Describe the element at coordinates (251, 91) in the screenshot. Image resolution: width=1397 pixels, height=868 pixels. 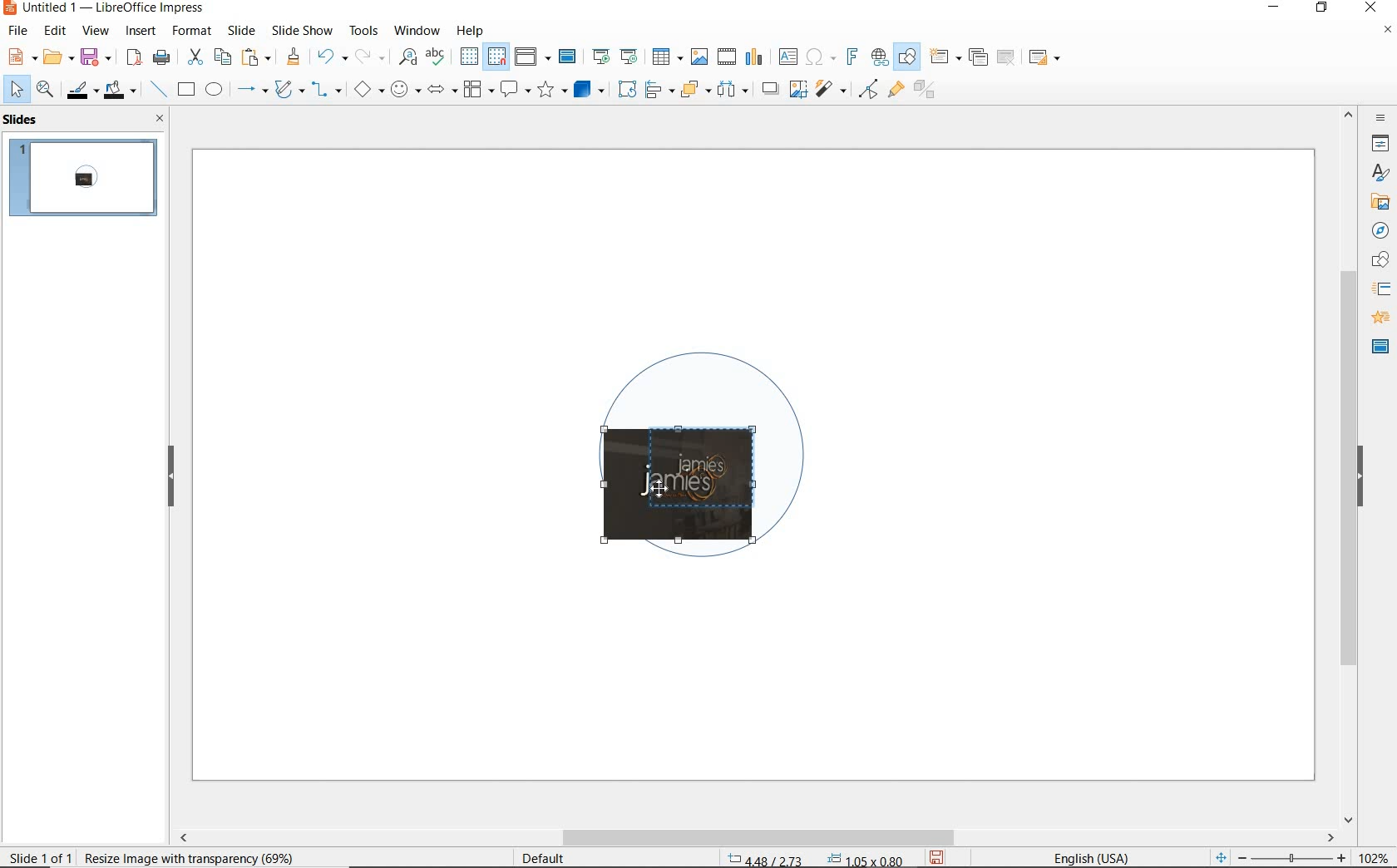
I see `lines & arrows` at that location.